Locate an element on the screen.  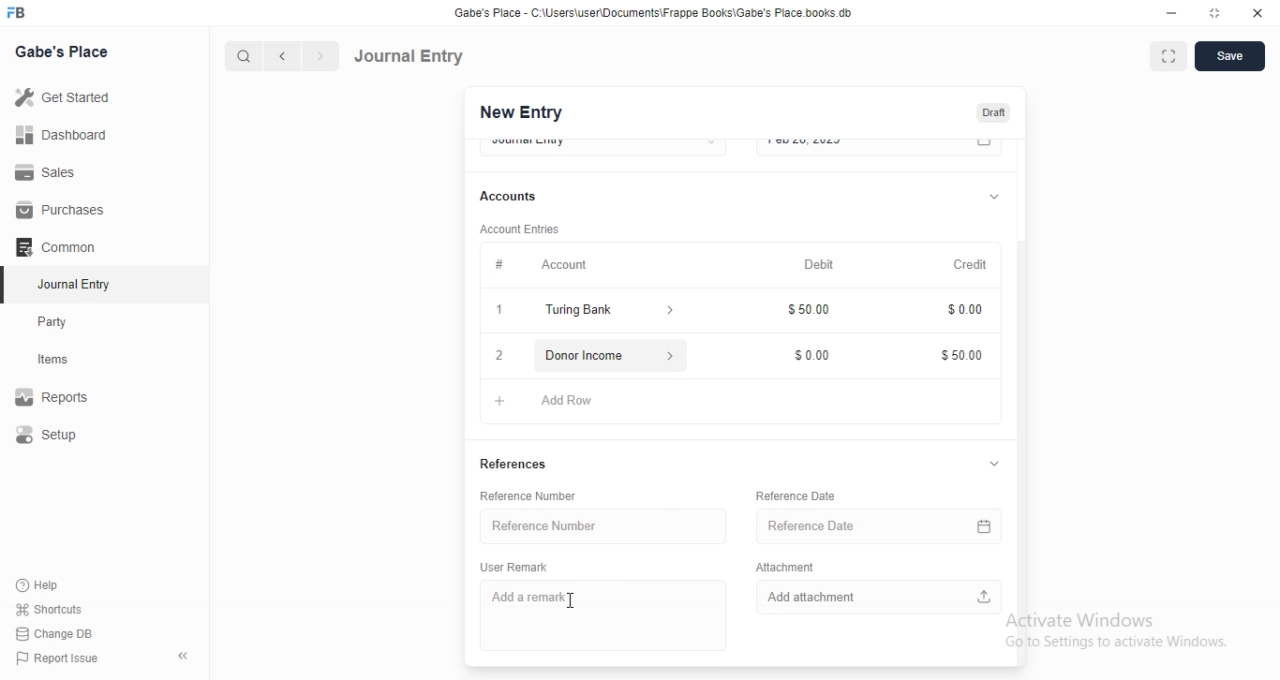
Reference Date is located at coordinates (796, 495).